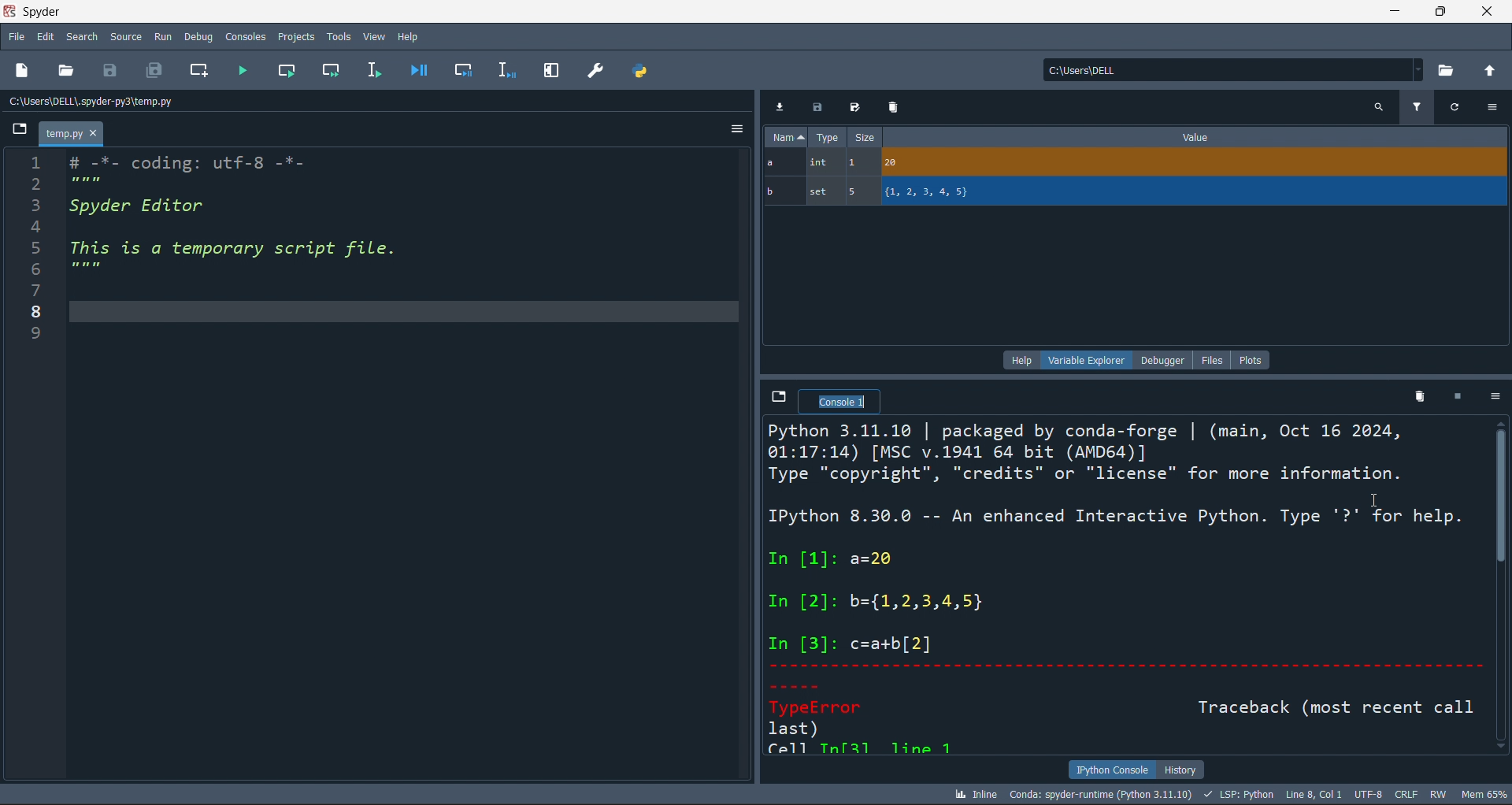  Describe the element at coordinates (1216, 359) in the screenshot. I see `file` at that location.